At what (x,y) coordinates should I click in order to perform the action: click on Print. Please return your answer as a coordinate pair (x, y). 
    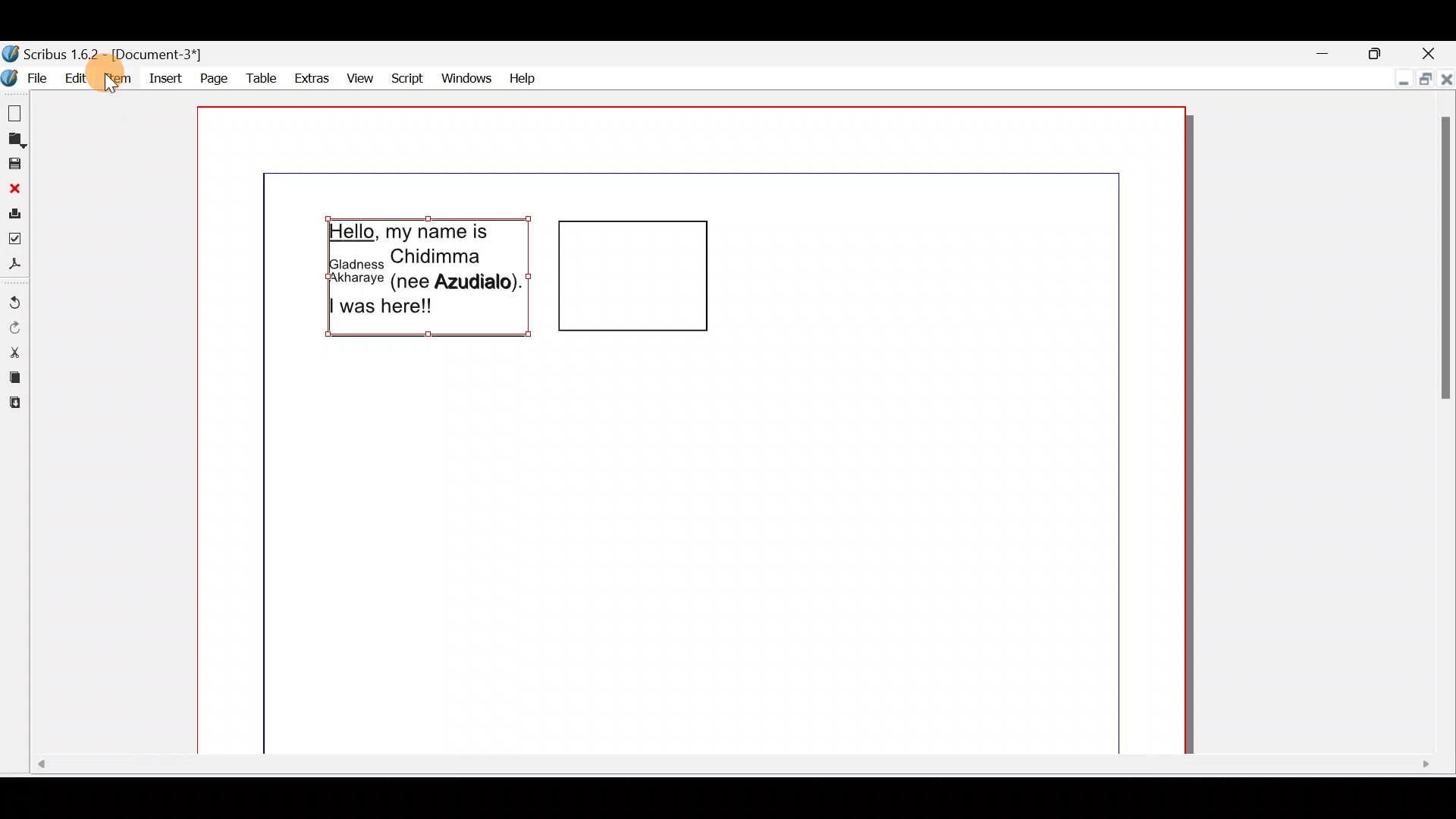
    Looking at the image, I should click on (14, 212).